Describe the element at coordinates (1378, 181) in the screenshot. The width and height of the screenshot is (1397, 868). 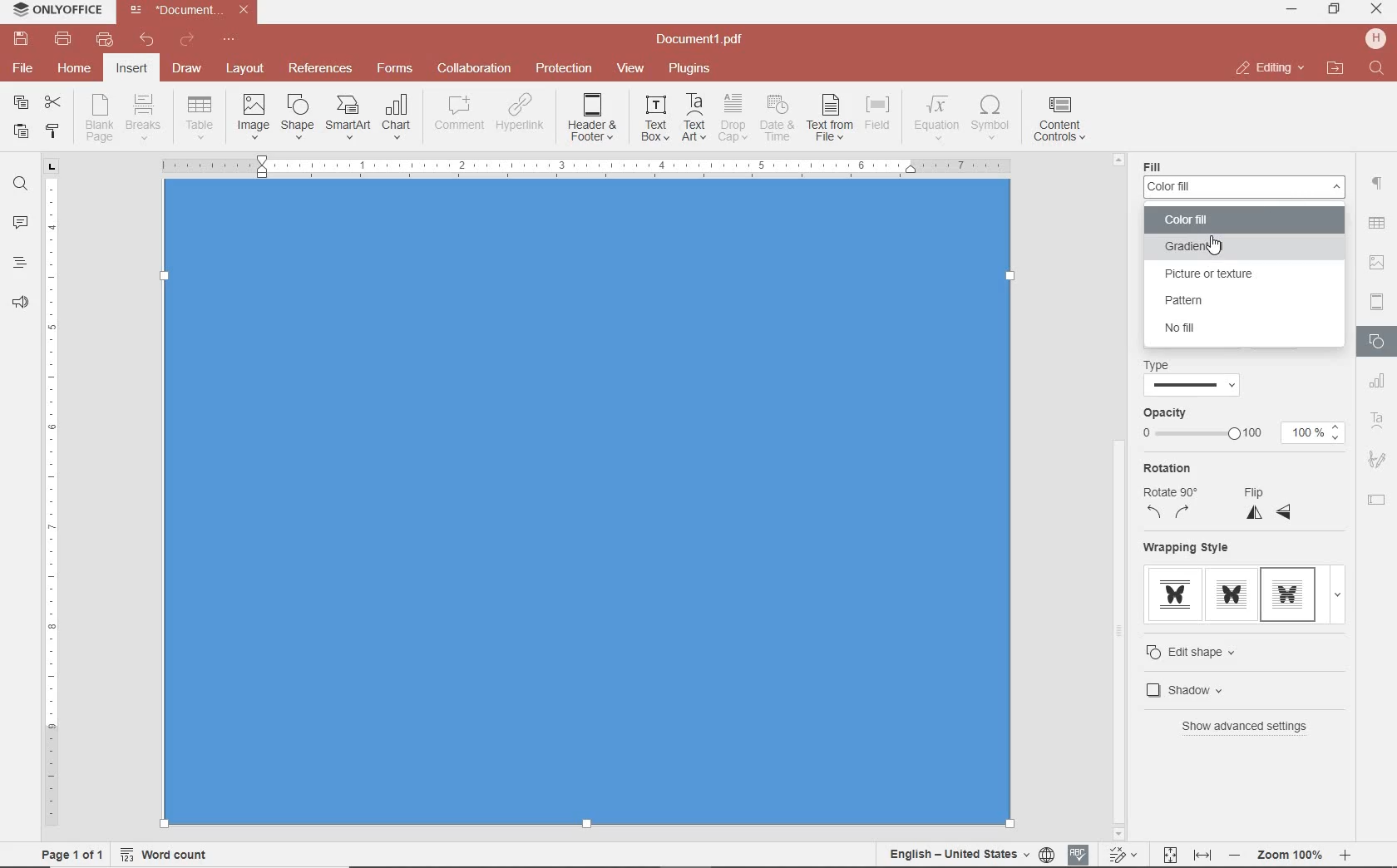
I see `paragraph setting` at that location.